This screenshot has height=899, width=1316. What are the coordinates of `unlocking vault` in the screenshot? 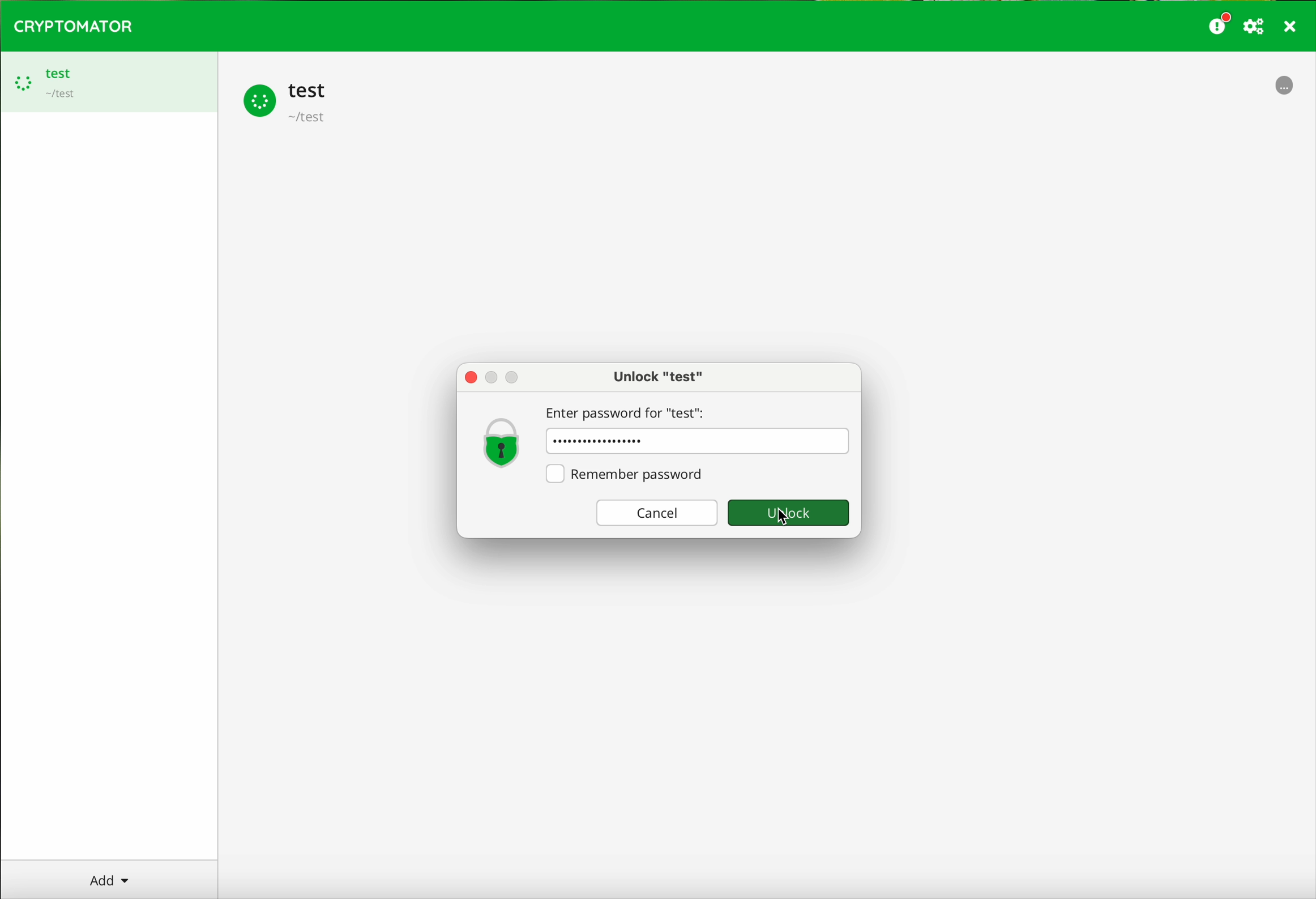 It's located at (289, 101).